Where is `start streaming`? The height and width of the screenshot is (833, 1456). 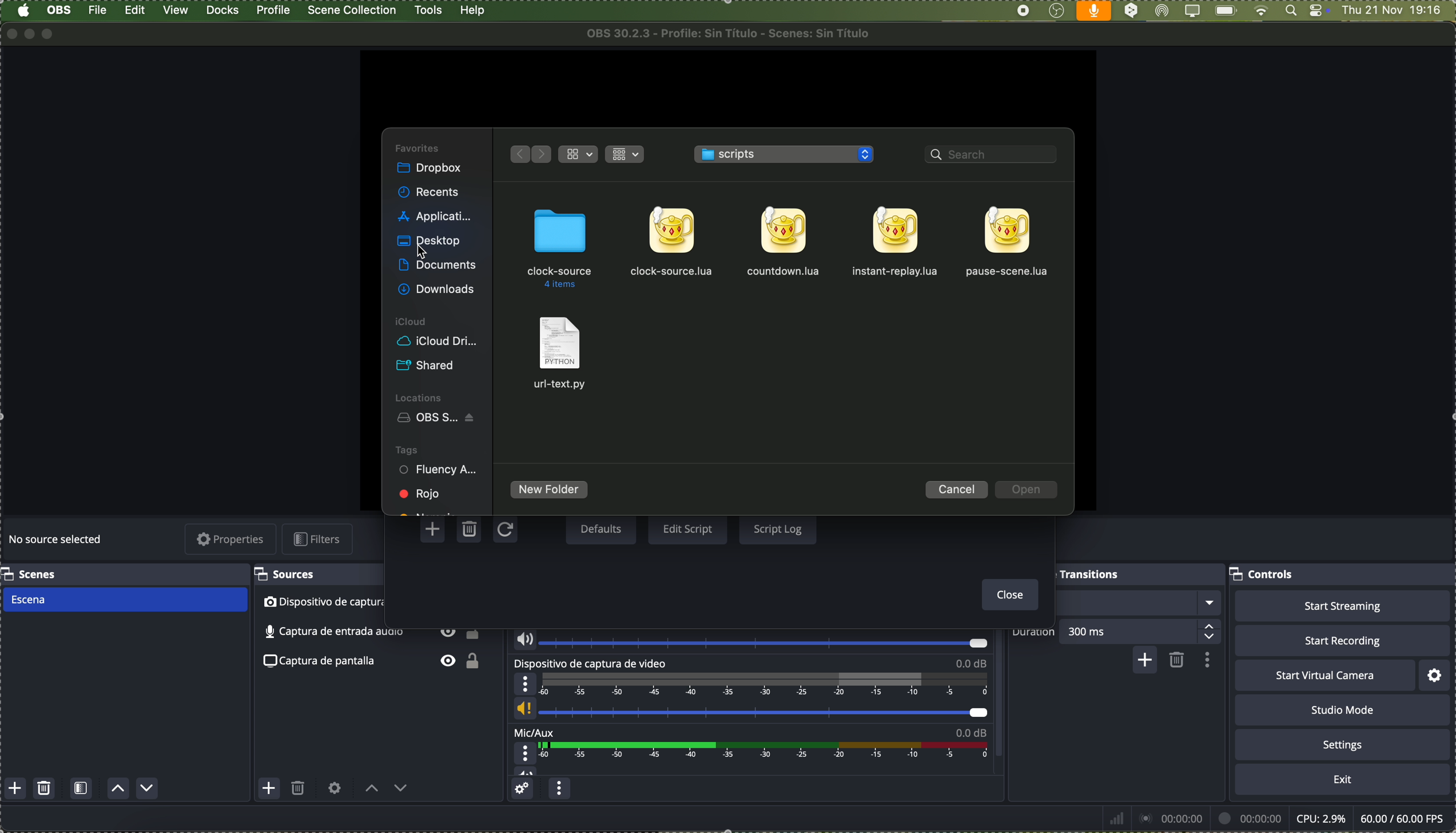
start streaming is located at coordinates (1342, 606).